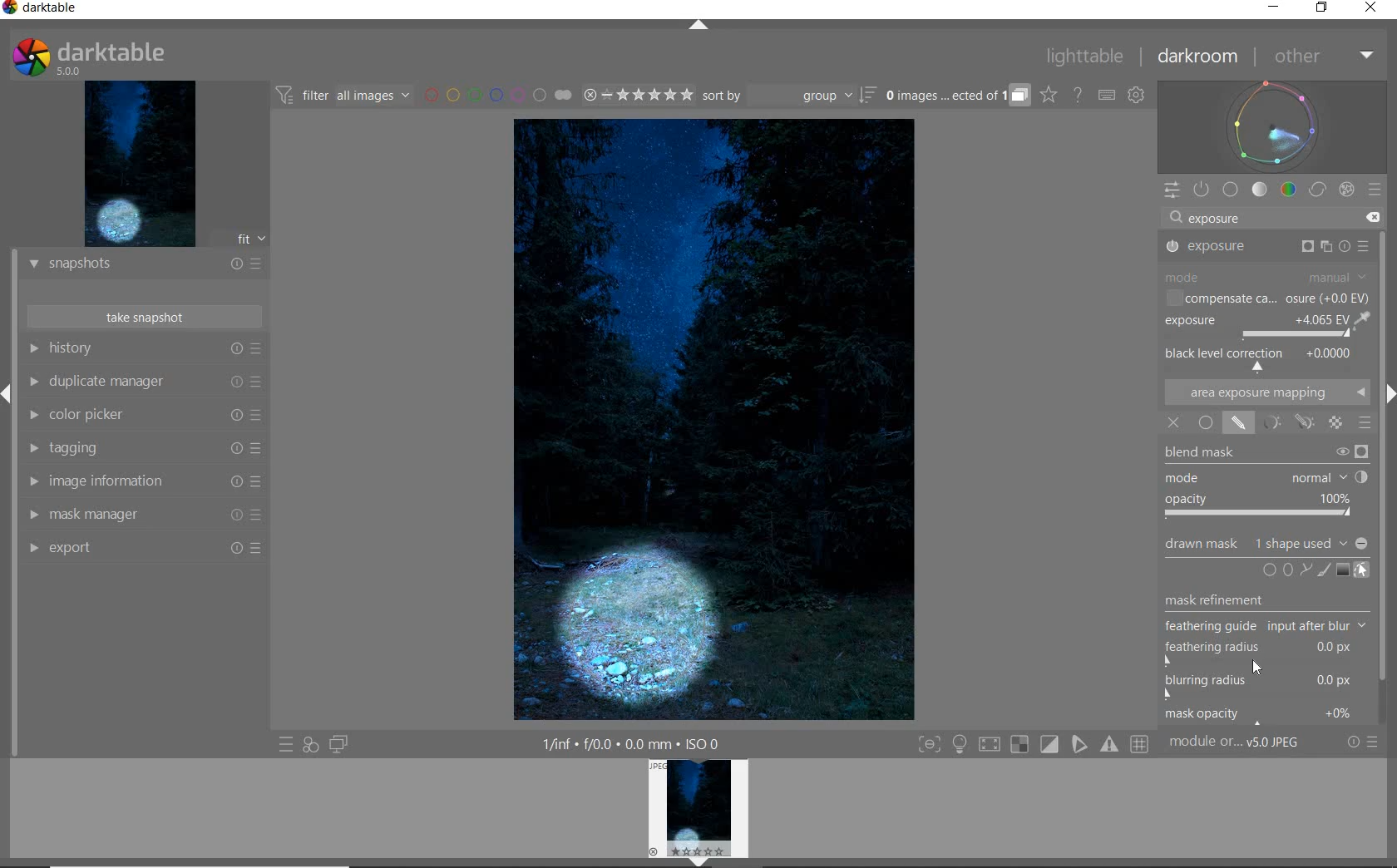  What do you see at coordinates (698, 812) in the screenshot?
I see `IMAGE PREVIEW` at bounding box center [698, 812].